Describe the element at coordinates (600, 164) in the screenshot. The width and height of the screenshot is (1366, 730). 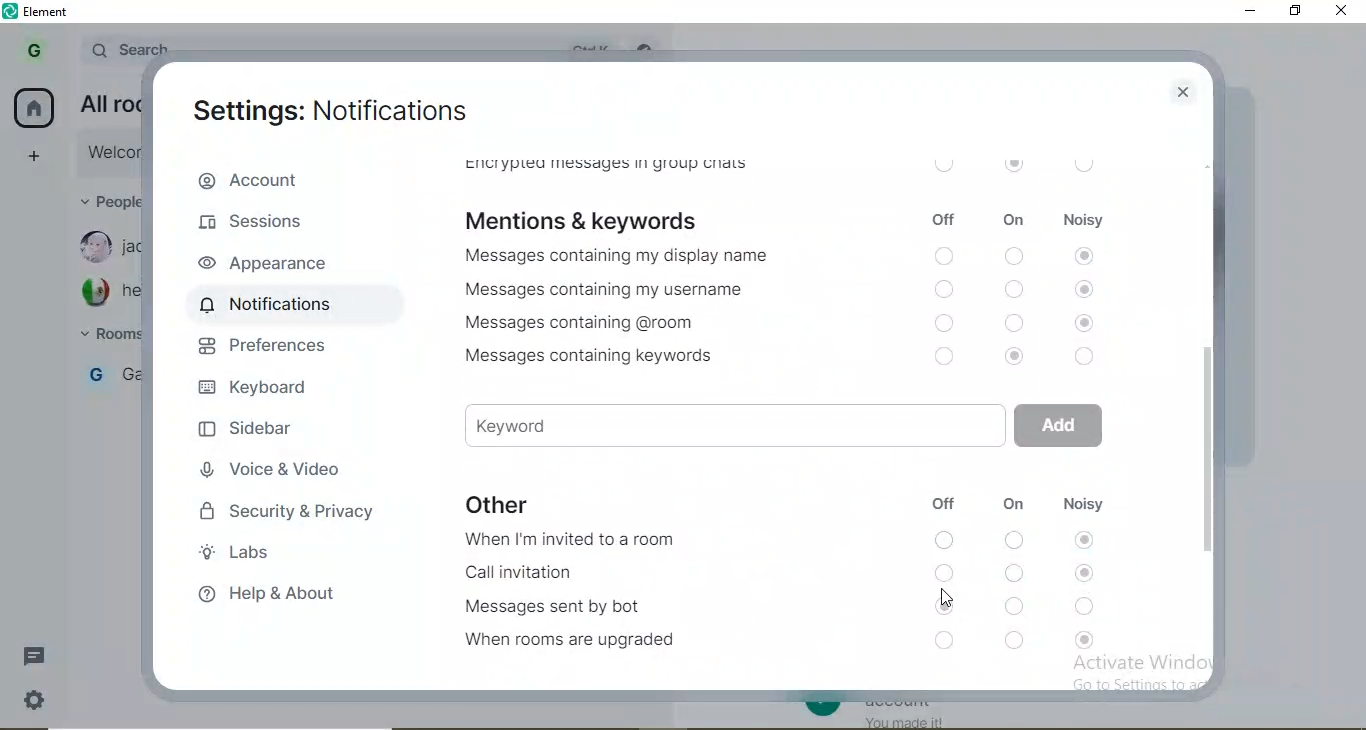
I see `encrypted messages in group chats` at that location.